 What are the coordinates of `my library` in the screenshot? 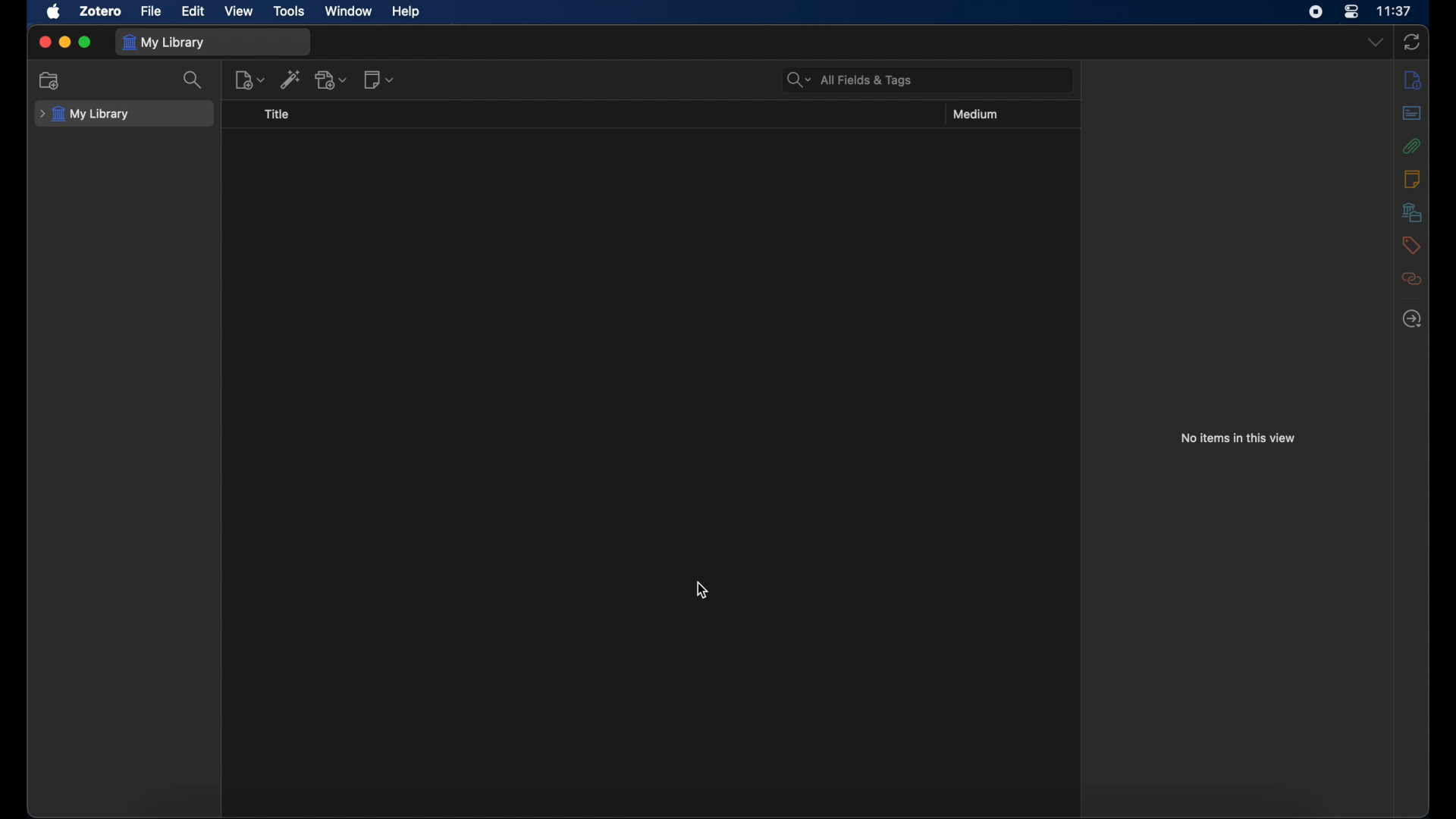 It's located at (164, 42).